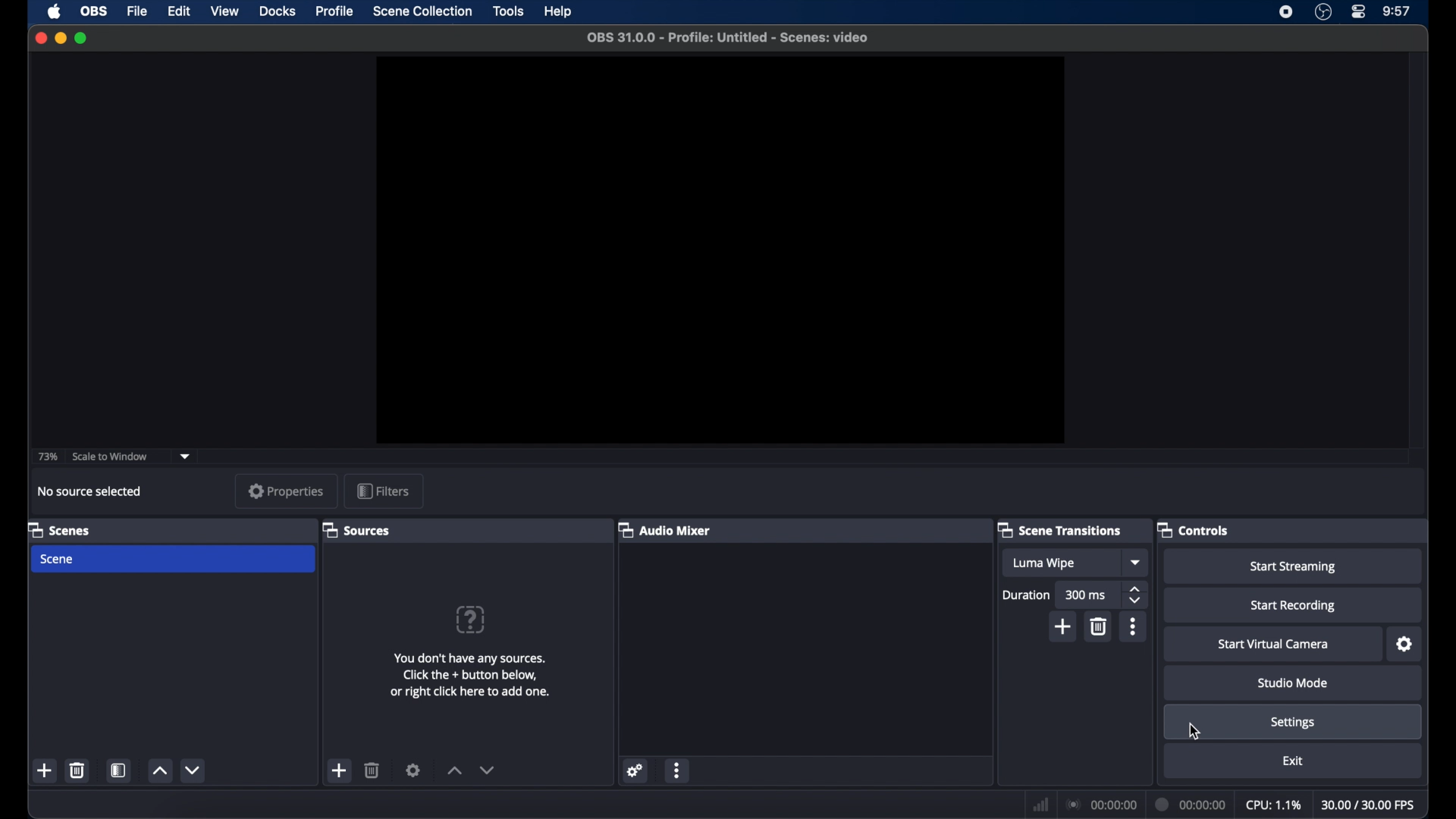 This screenshot has width=1456, height=819. Describe the element at coordinates (665, 529) in the screenshot. I see `audio mixer` at that location.